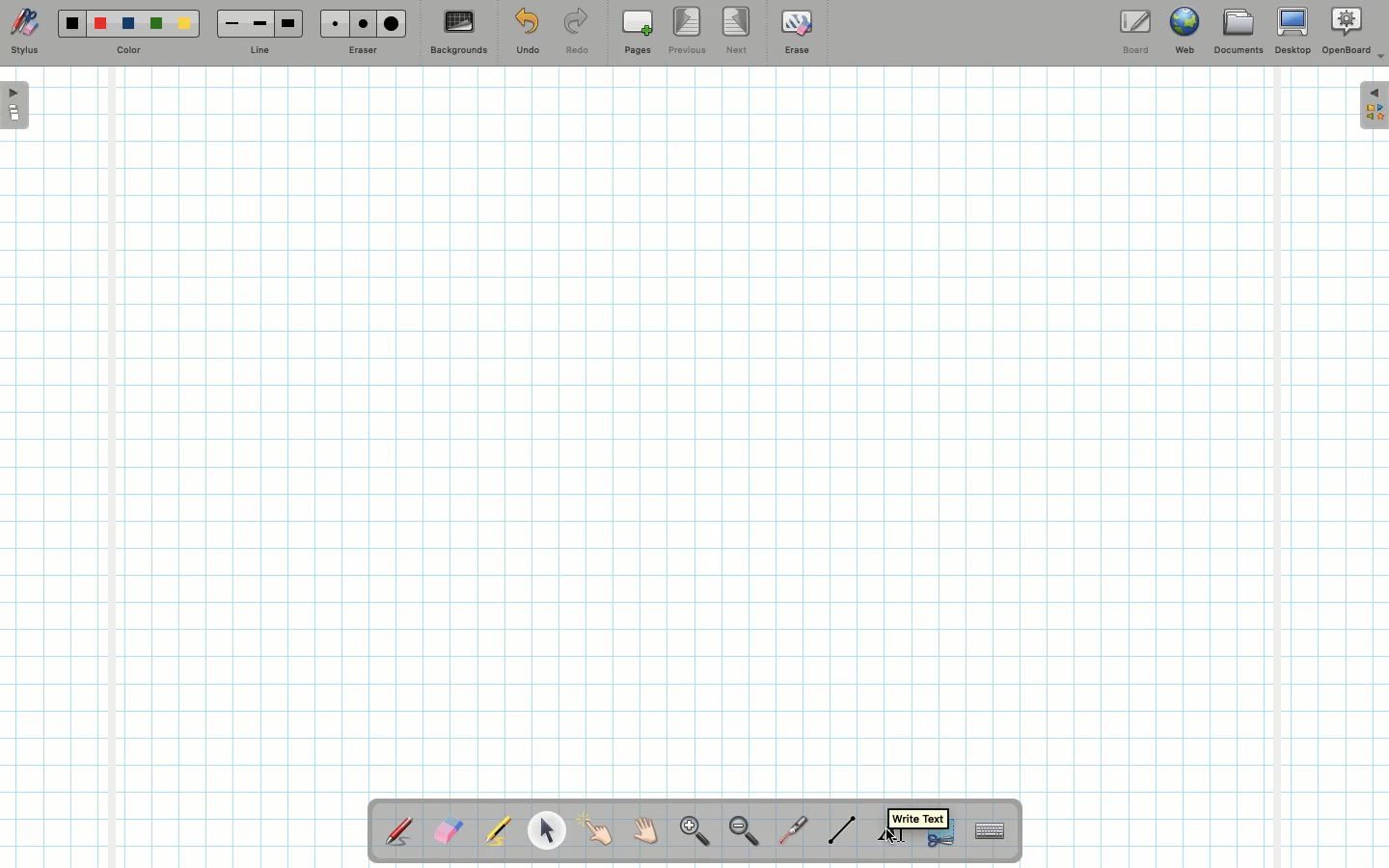 The image size is (1389, 868). Describe the element at coordinates (184, 23) in the screenshot. I see `Yellow` at that location.